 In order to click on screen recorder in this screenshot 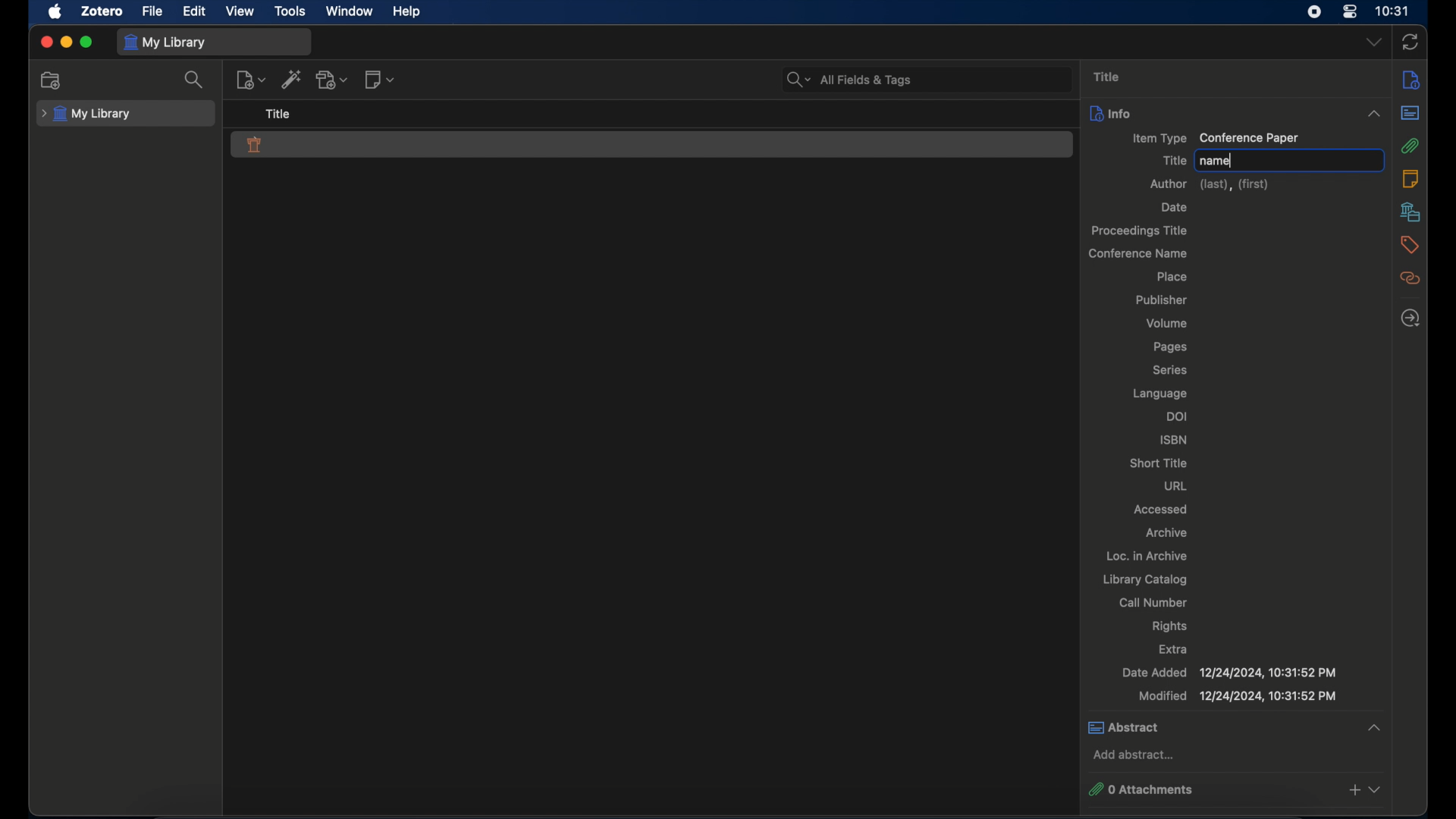, I will do `click(1314, 12)`.